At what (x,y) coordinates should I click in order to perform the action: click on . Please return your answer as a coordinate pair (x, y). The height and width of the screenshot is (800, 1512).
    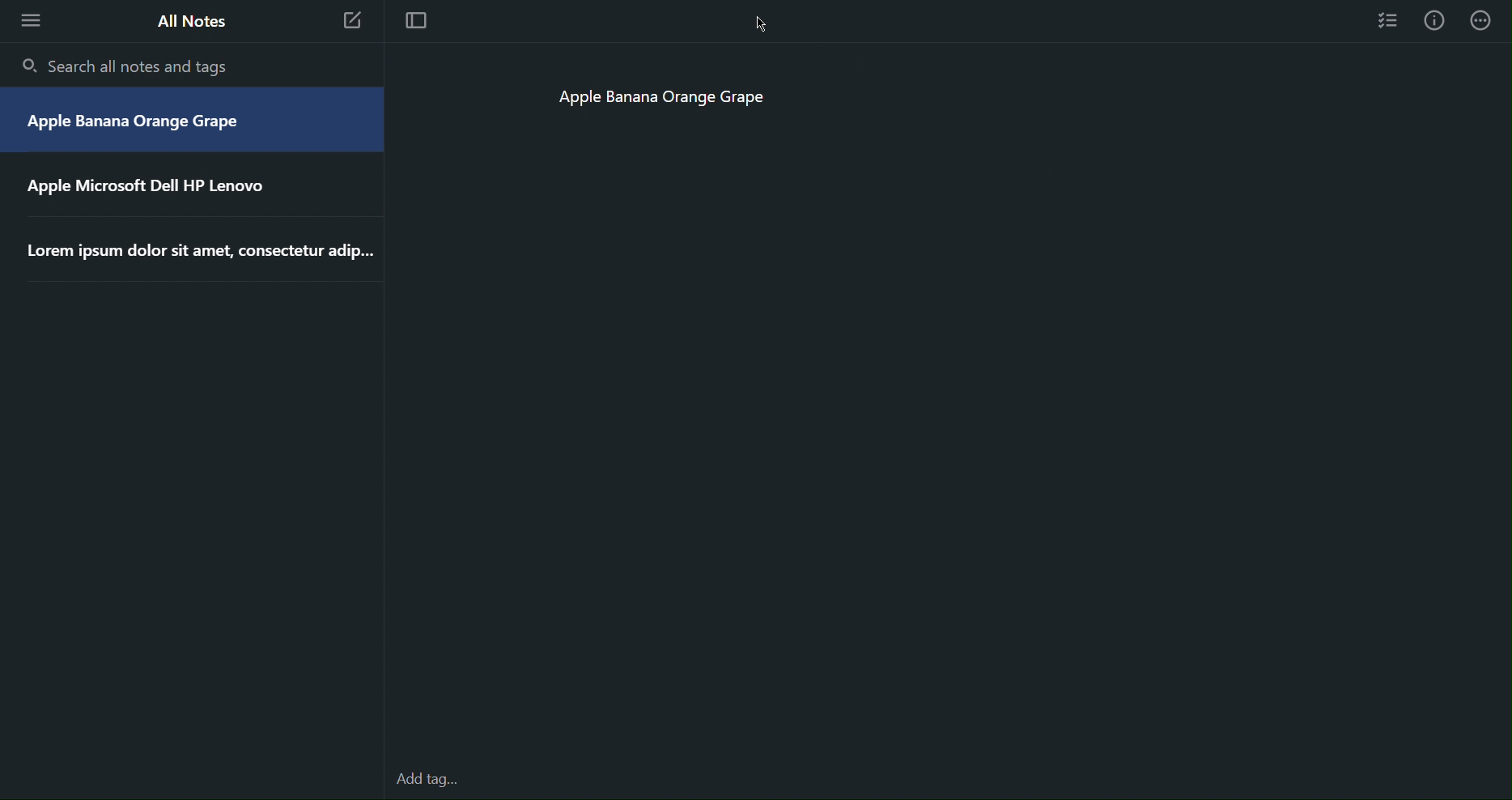
    Looking at the image, I should click on (200, 251).